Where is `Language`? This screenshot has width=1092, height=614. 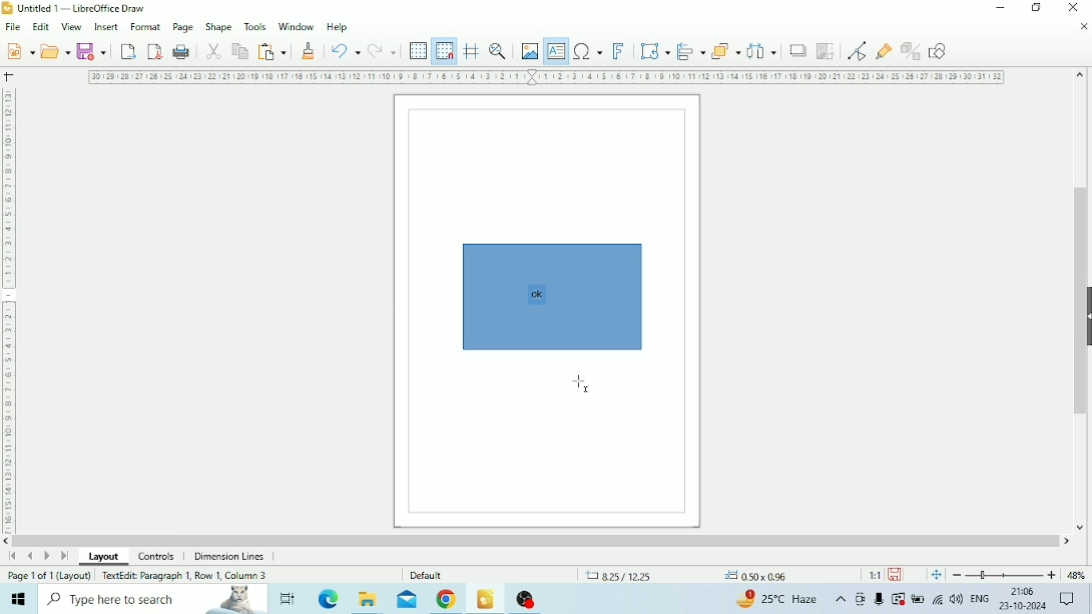 Language is located at coordinates (980, 597).